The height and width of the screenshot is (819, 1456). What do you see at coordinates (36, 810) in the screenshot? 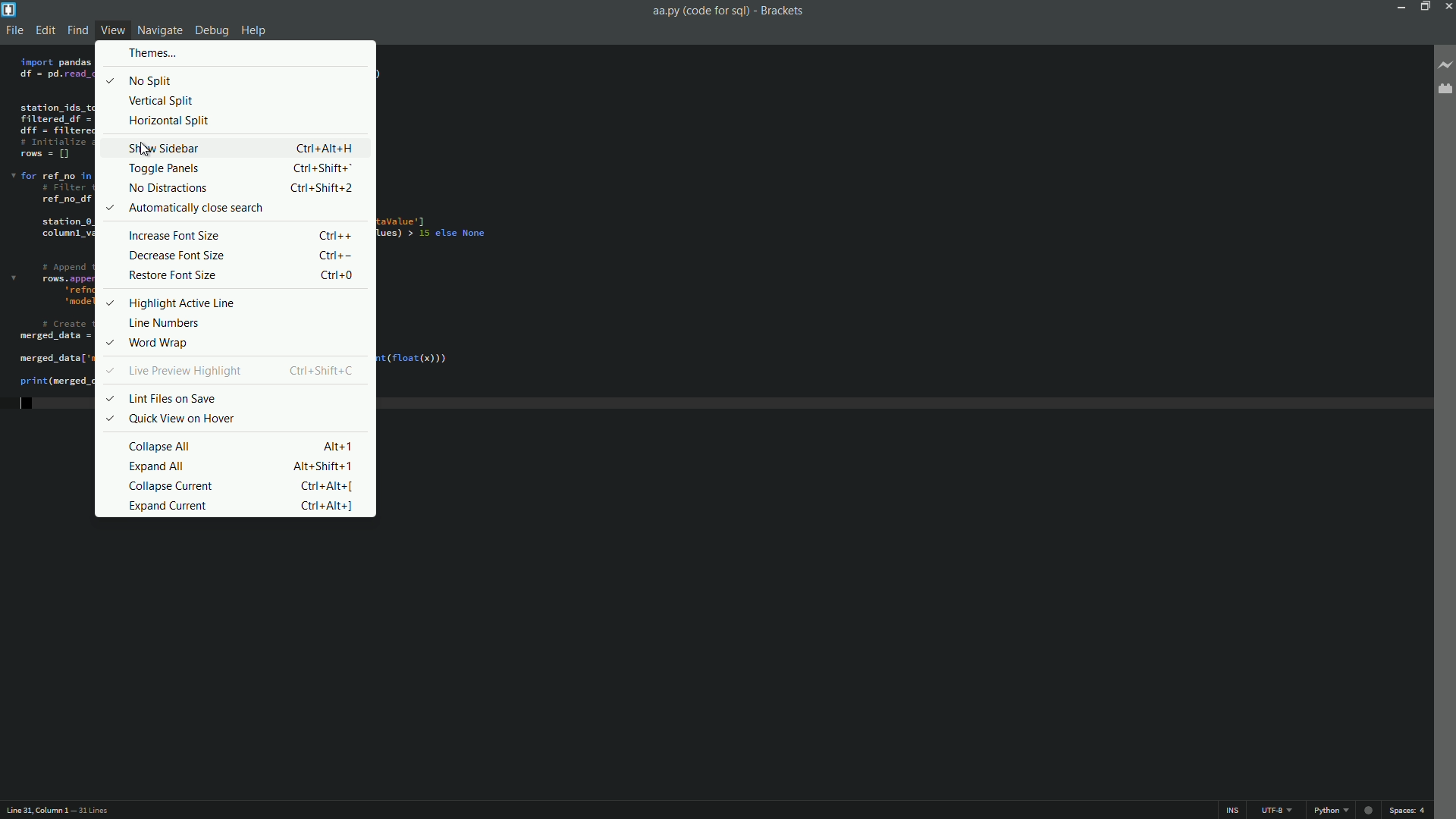
I see `cursor position` at bounding box center [36, 810].